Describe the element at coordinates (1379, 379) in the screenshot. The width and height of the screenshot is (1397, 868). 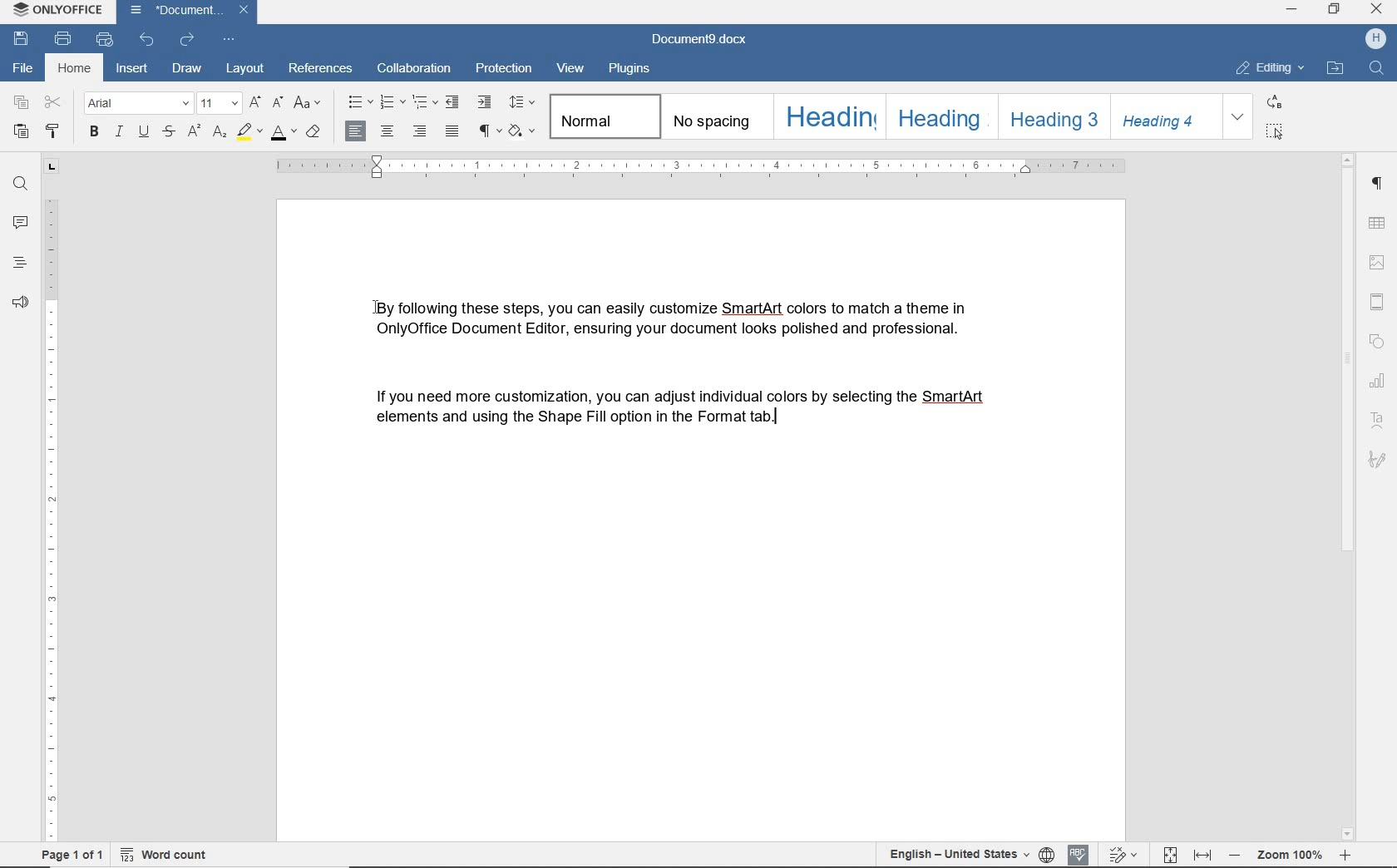
I see `chart` at that location.